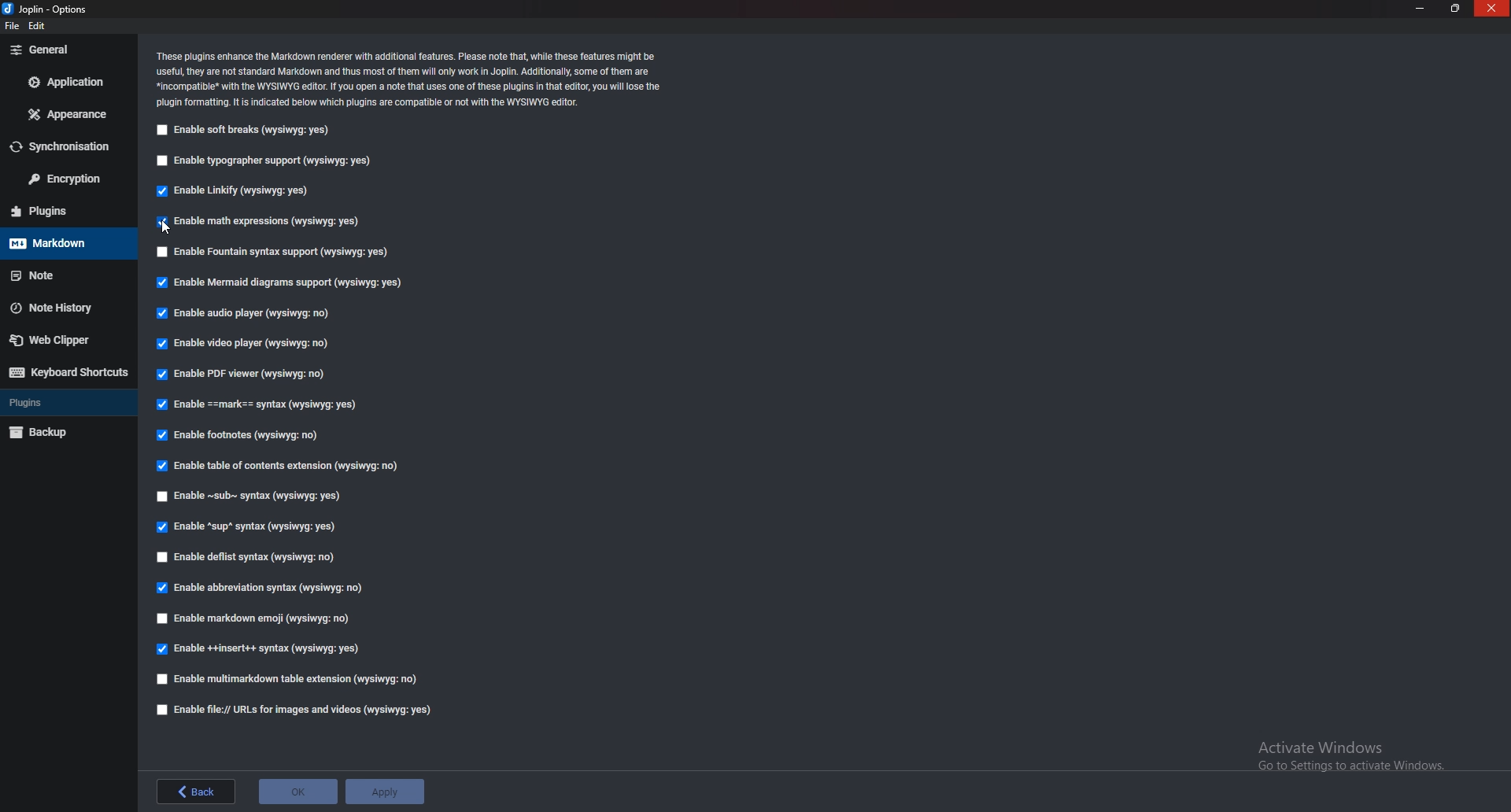 This screenshot has height=812, width=1511. Describe the element at coordinates (253, 497) in the screenshot. I see `Enable sub syntax` at that location.